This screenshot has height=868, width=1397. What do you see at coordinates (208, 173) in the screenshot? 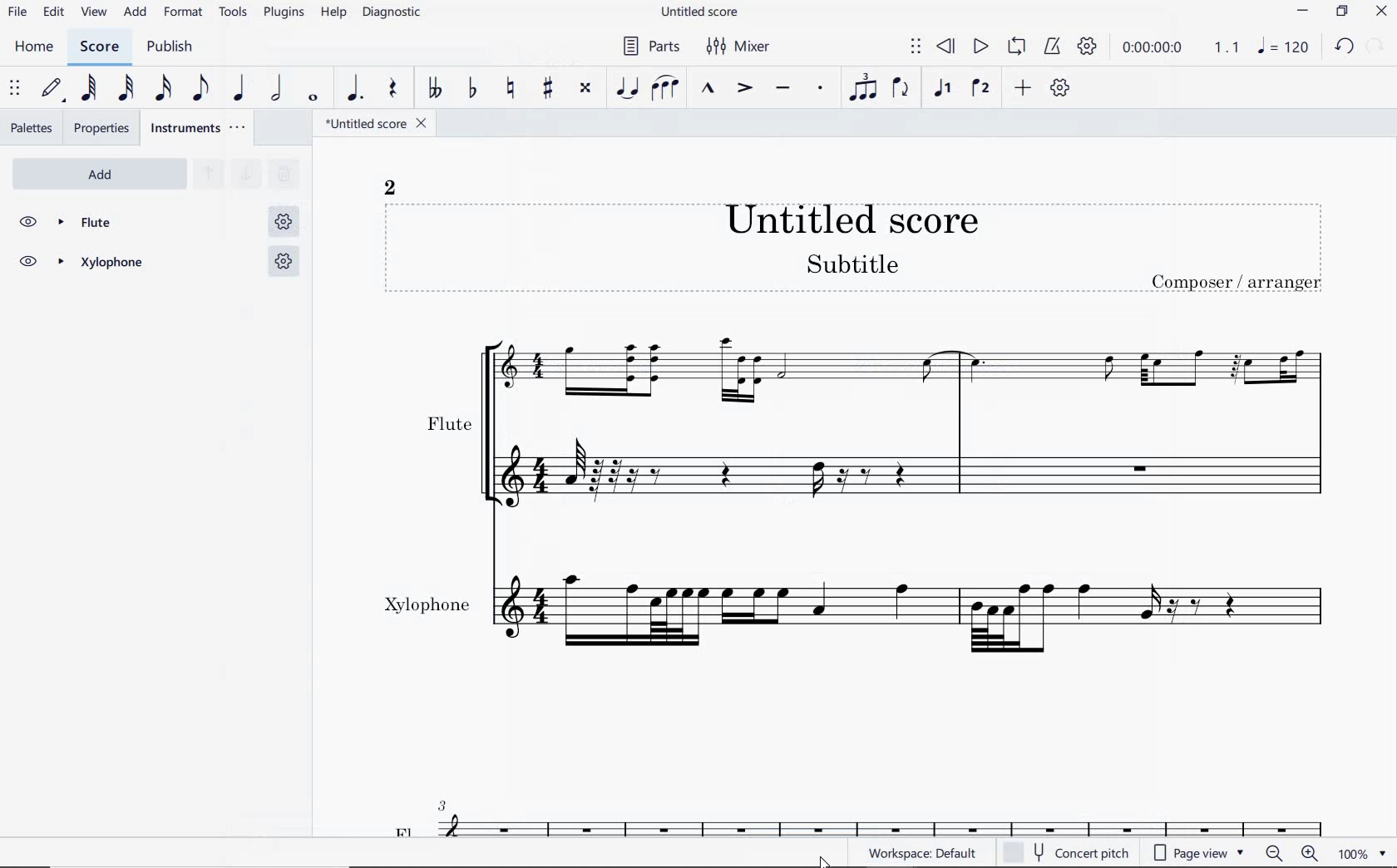
I see `MOVE SELECTED INSTRUMENT UP` at bounding box center [208, 173].